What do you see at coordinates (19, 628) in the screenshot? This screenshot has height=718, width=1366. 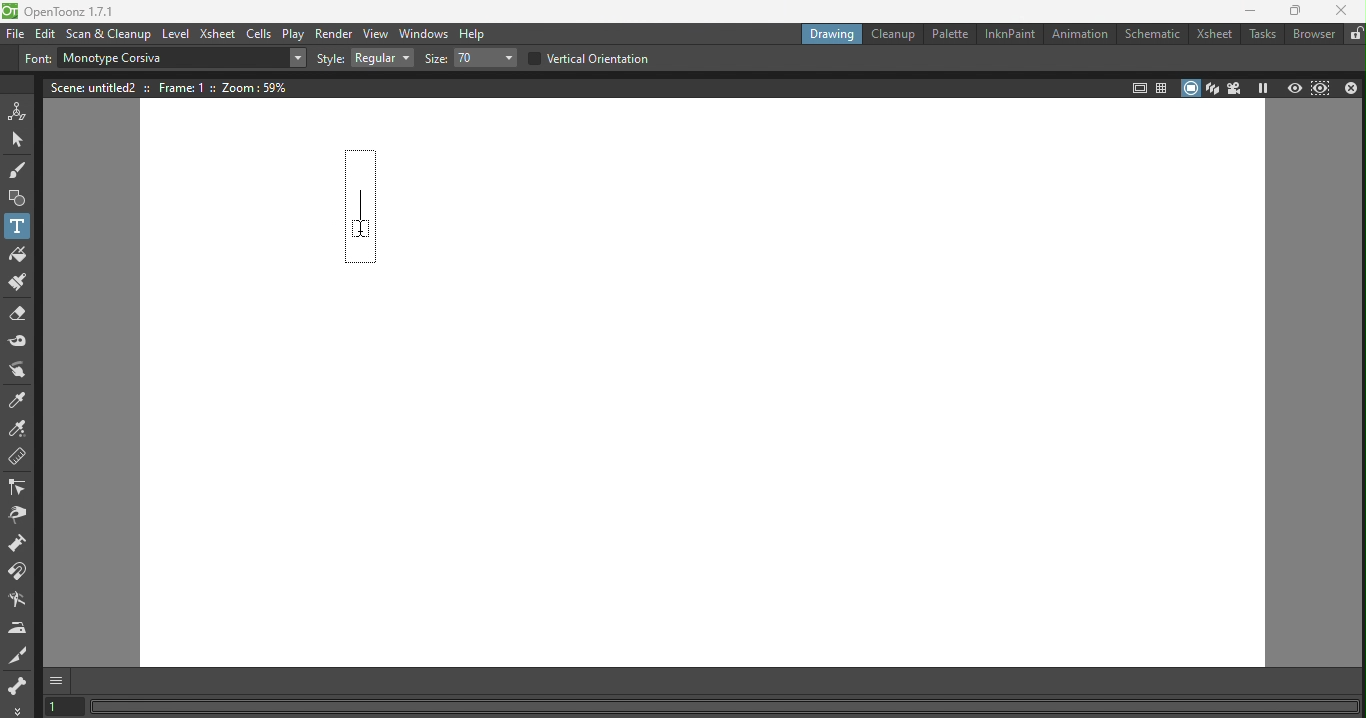 I see `Iron tool` at bounding box center [19, 628].